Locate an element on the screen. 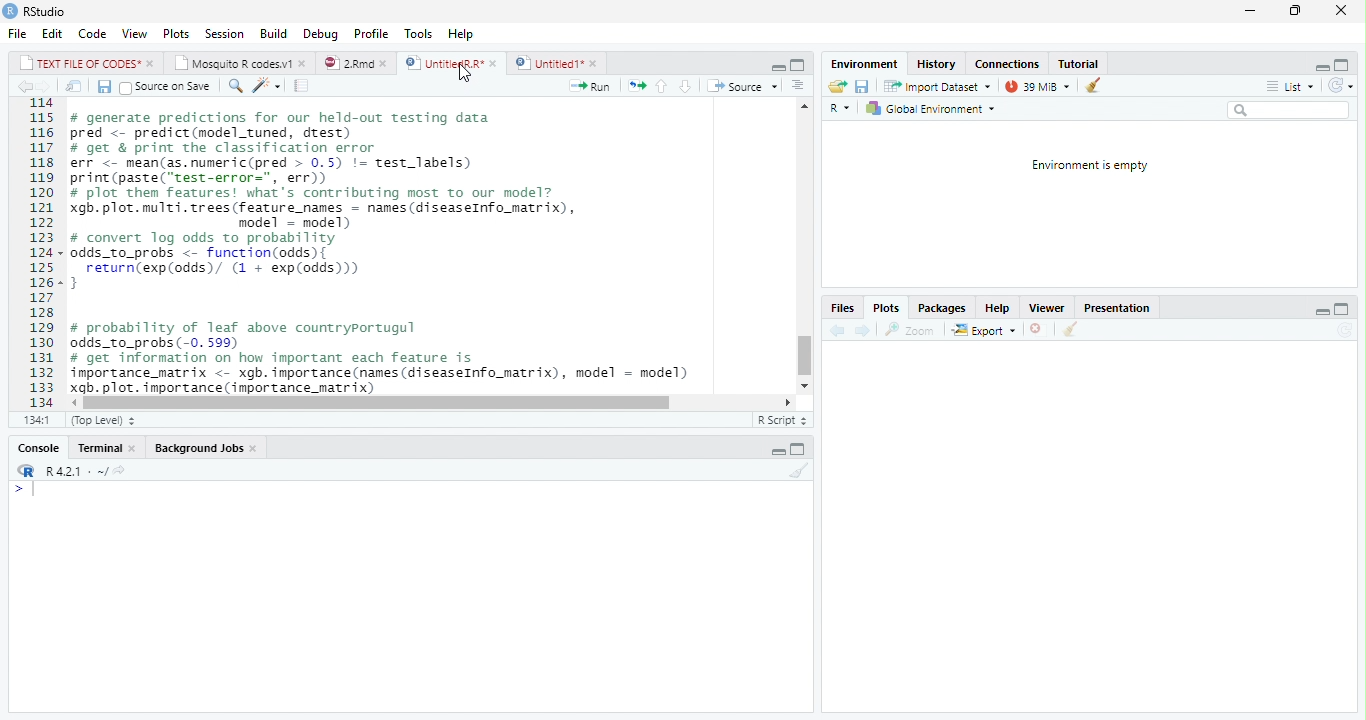  Export is located at coordinates (984, 330).